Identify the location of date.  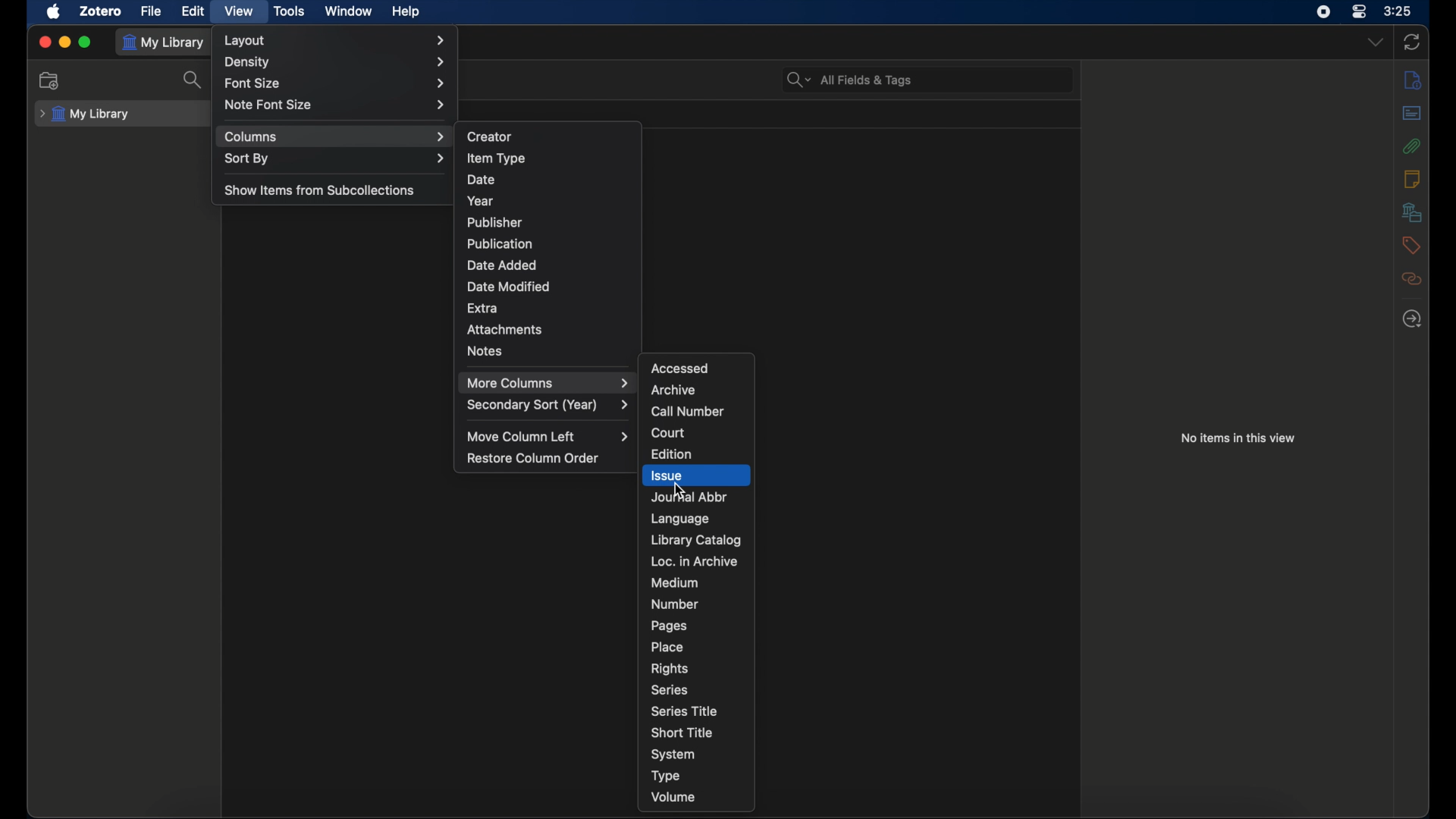
(483, 180).